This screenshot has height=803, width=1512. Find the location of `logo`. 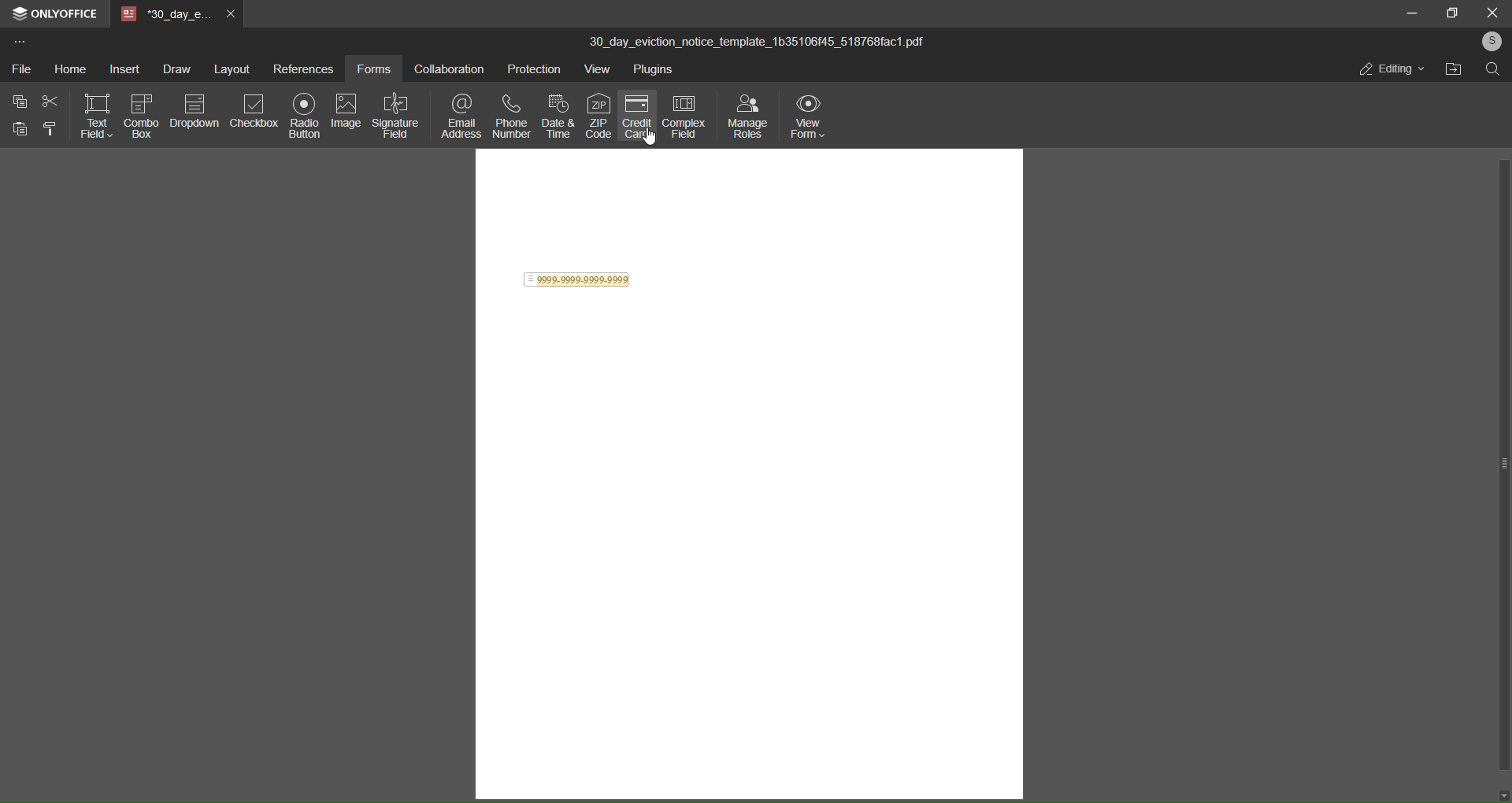

logo is located at coordinates (17, 13).